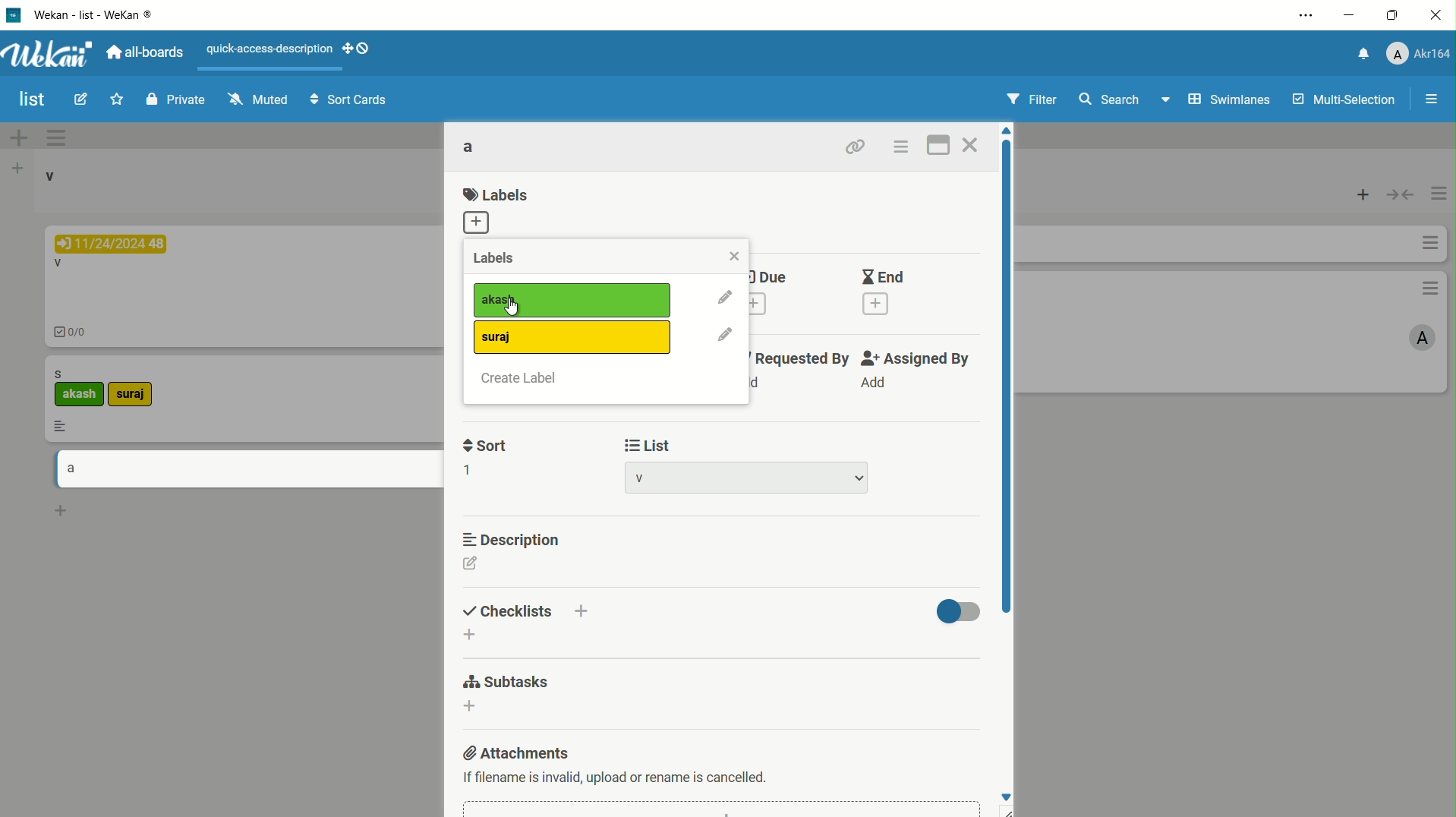 This screenshot has width=1456, height=817. I want to click on quick-access-description, so click(271, 50).